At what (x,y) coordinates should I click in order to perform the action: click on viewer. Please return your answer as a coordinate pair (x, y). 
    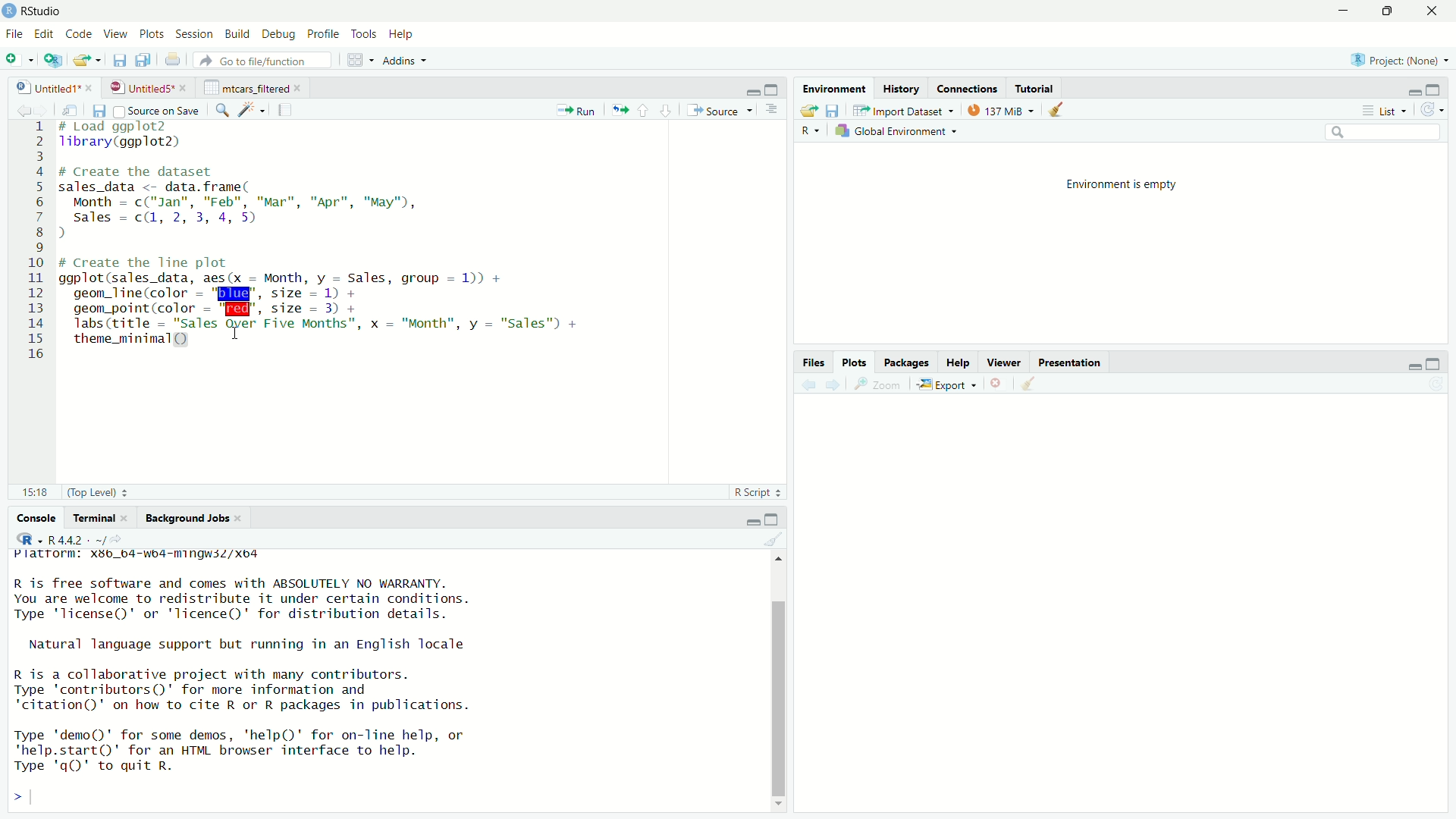
    Looking at the image, I should click on (1004, 362).